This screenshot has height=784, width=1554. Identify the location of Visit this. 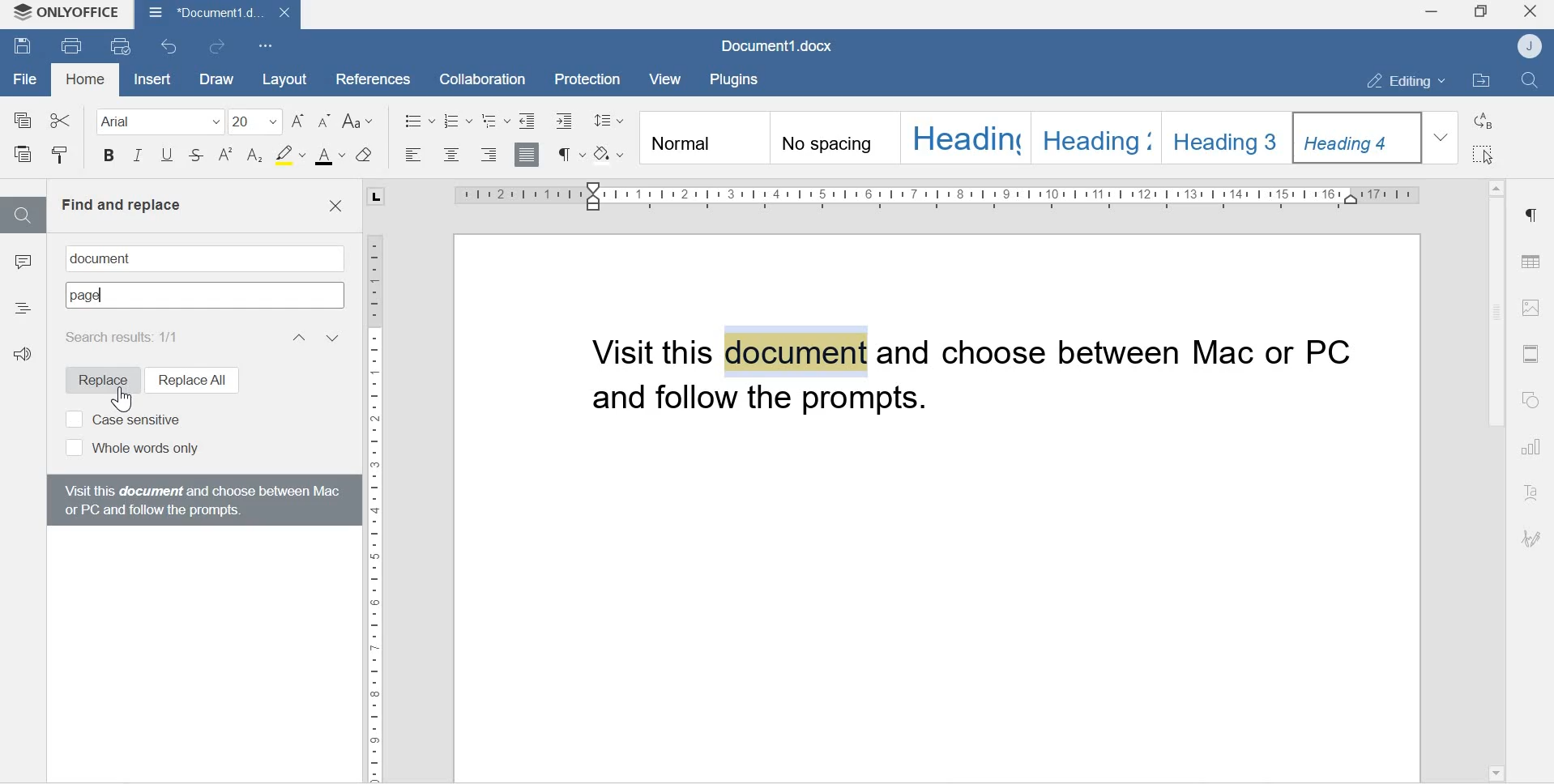
(655, 352).